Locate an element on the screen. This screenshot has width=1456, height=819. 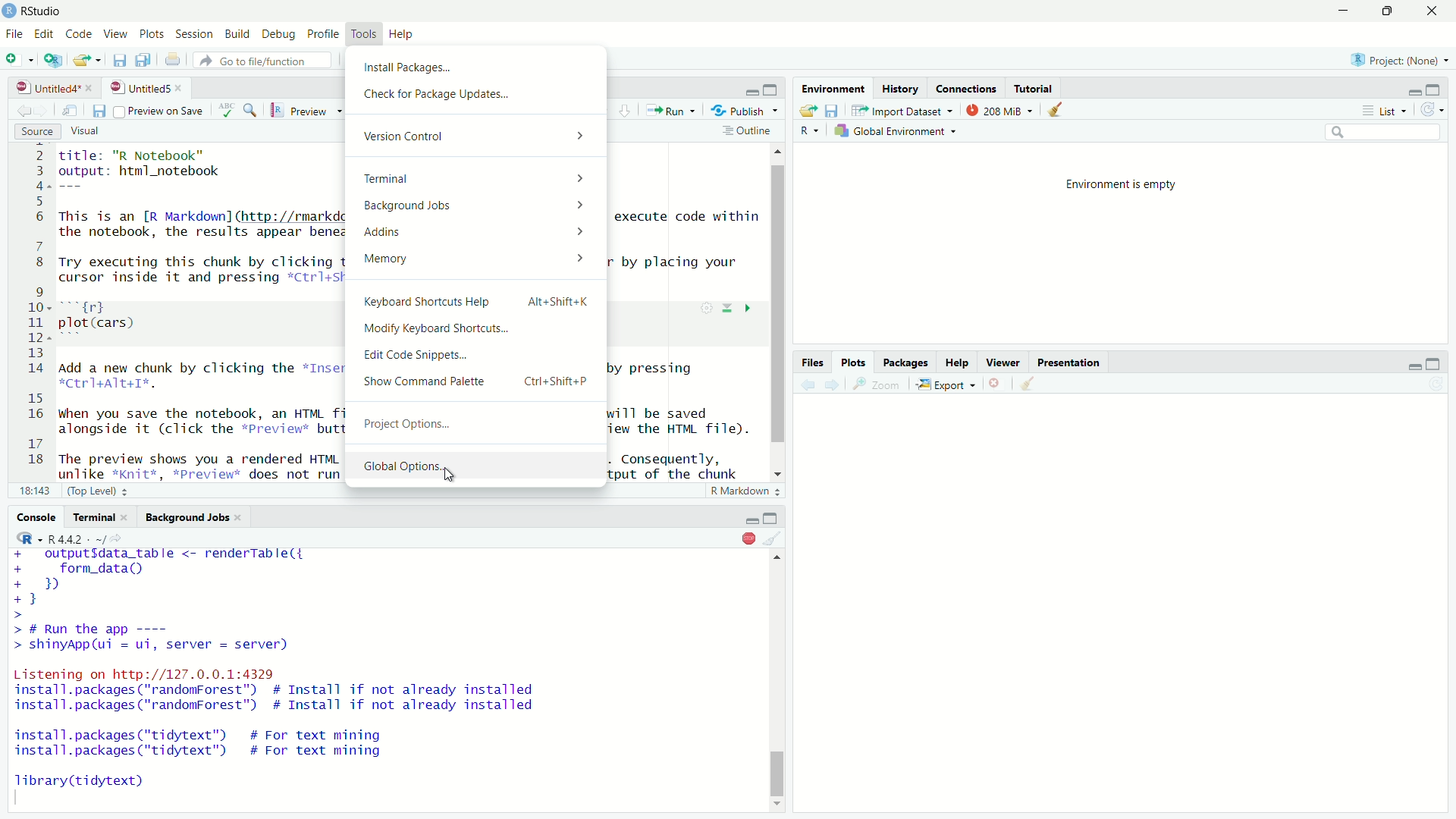
208  is located at coordinates (1000, 110).